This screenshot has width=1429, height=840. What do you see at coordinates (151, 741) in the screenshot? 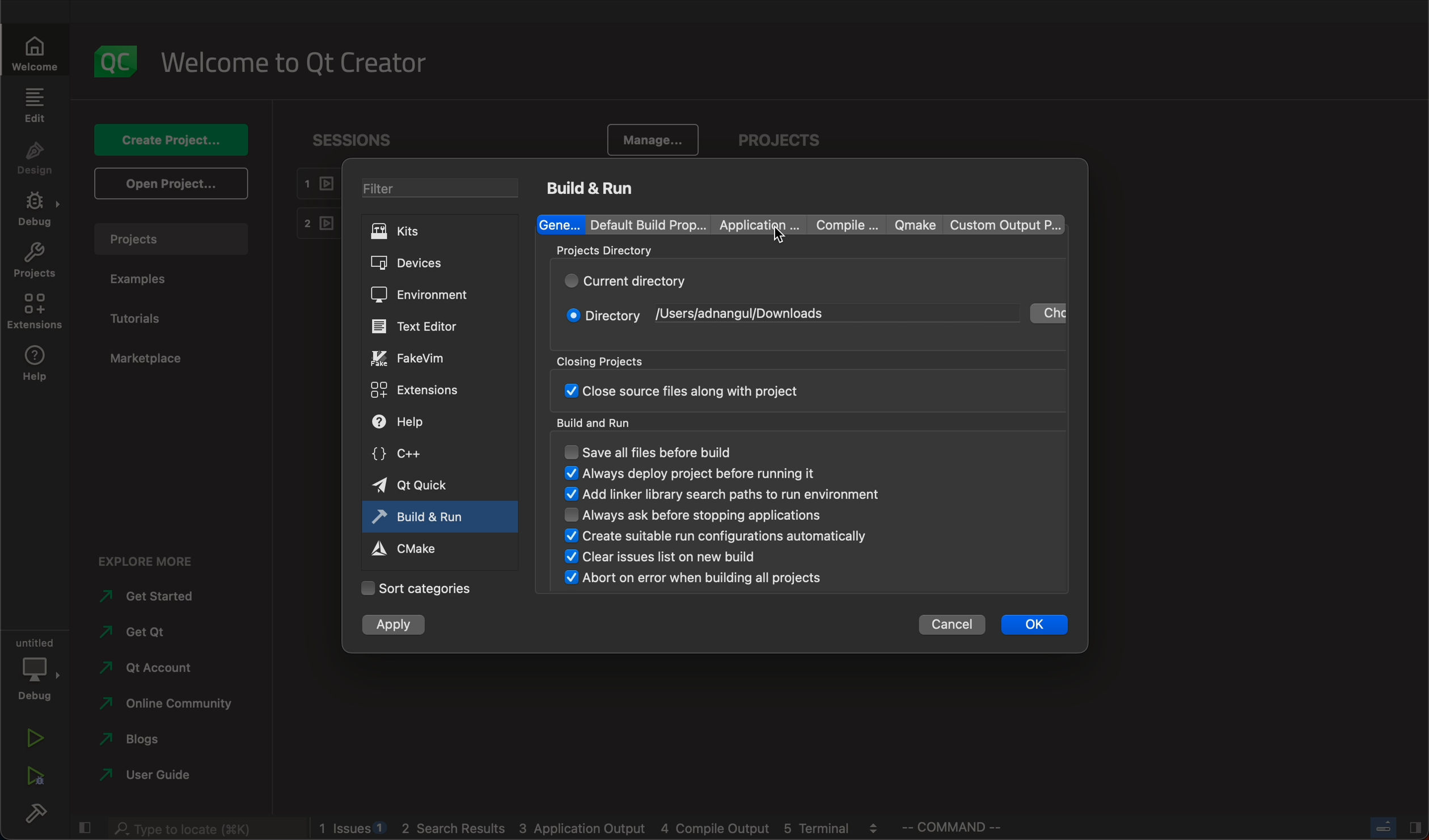
I see `blogs` at bounding box center [151, 741].